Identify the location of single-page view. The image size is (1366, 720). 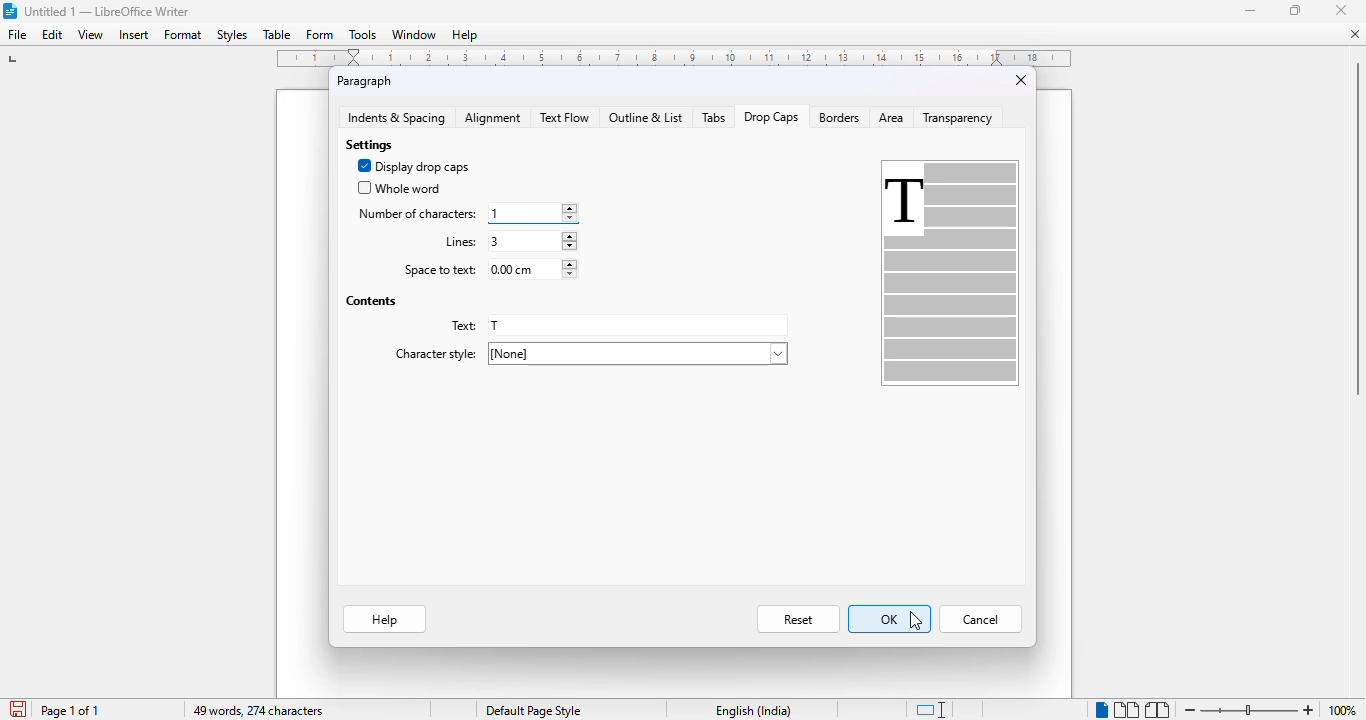
(1100, 710).